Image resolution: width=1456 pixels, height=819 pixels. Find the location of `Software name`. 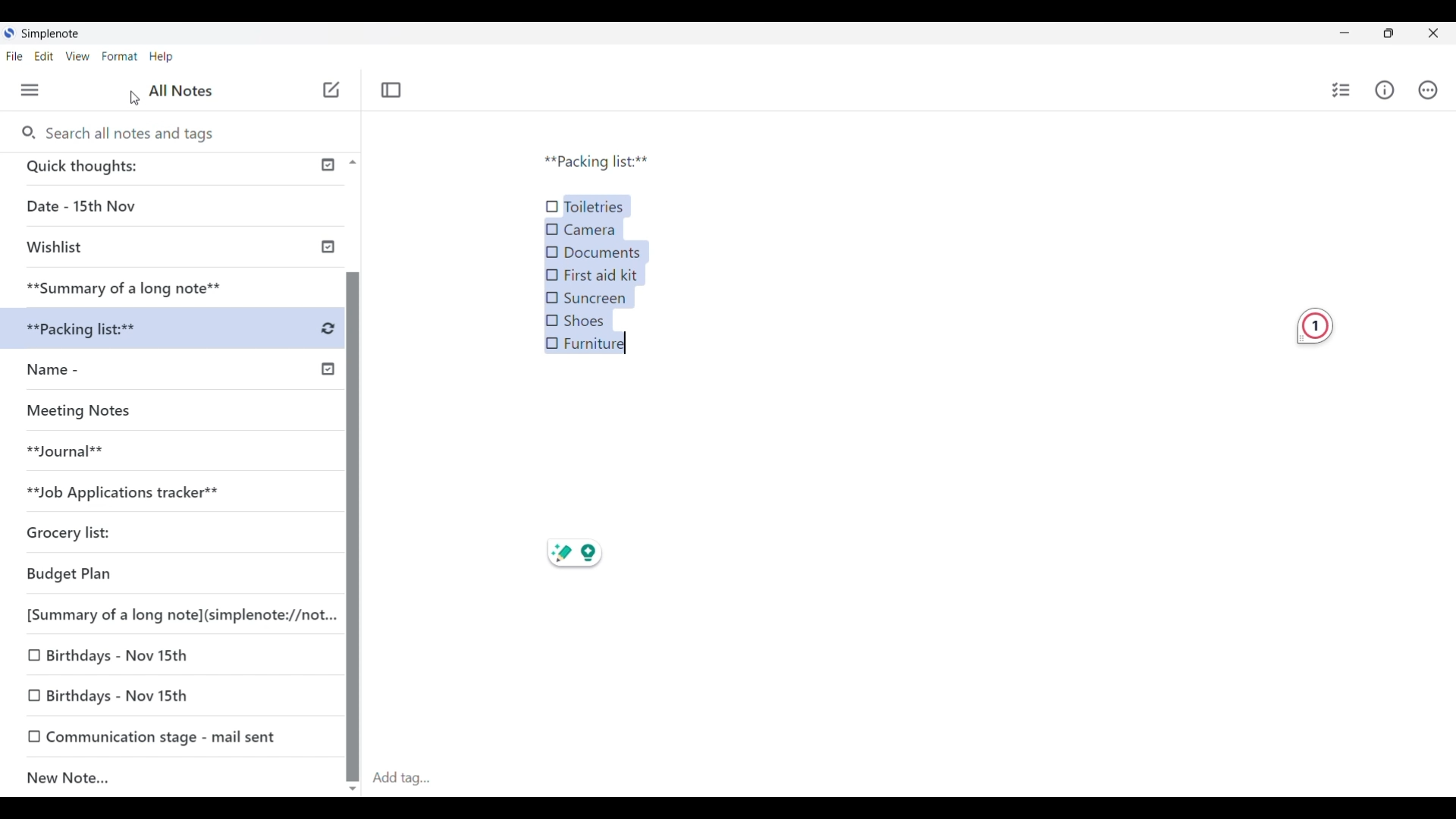

Software name is located at coordinates (52, 34).